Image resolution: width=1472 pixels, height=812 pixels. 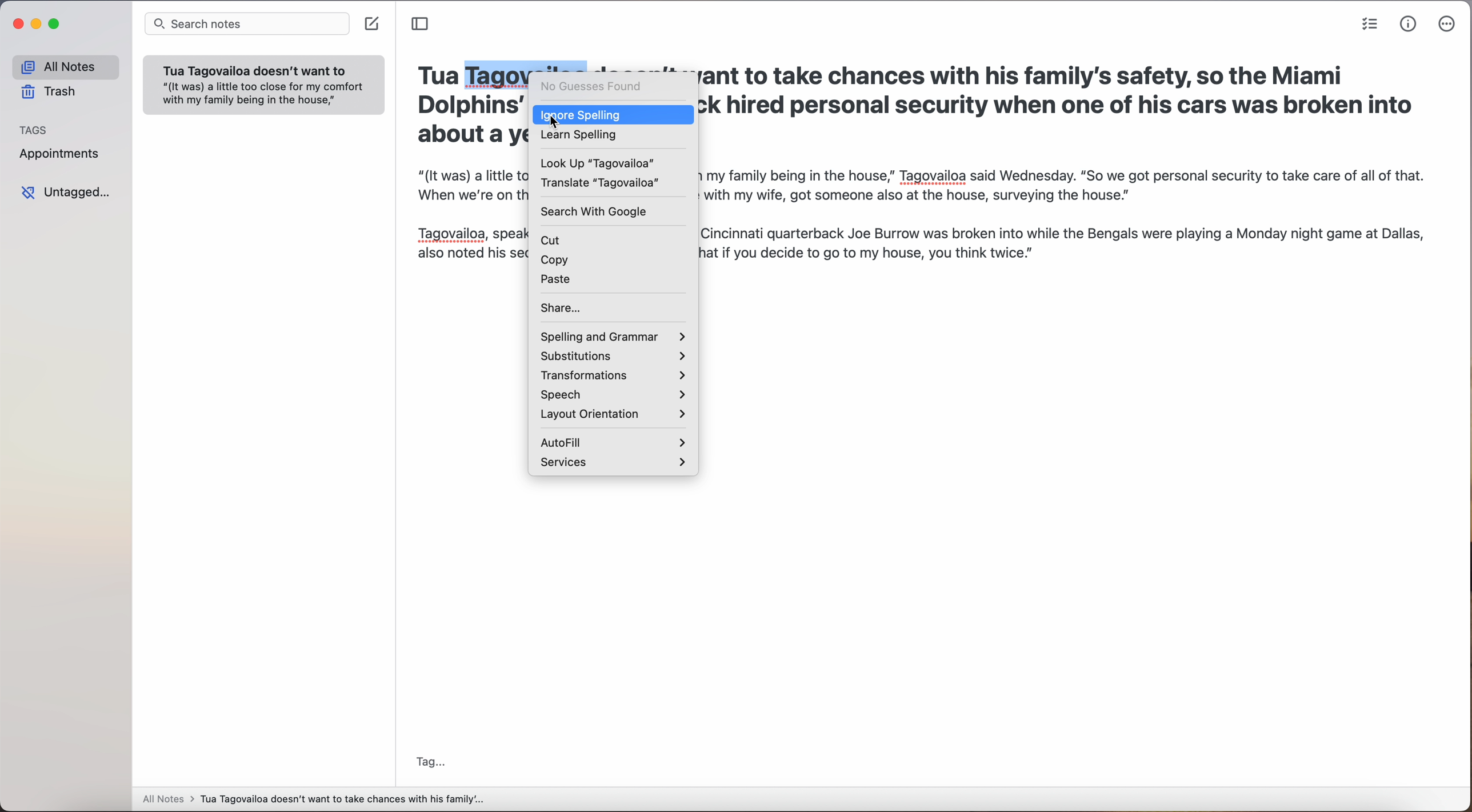 What do you see at coordinates (468, 219) in the screenshot?
I see `“(It was) a little to
When we're on th
Tagovailoa, speak
also noted his set` at bounding box center [468, 219].